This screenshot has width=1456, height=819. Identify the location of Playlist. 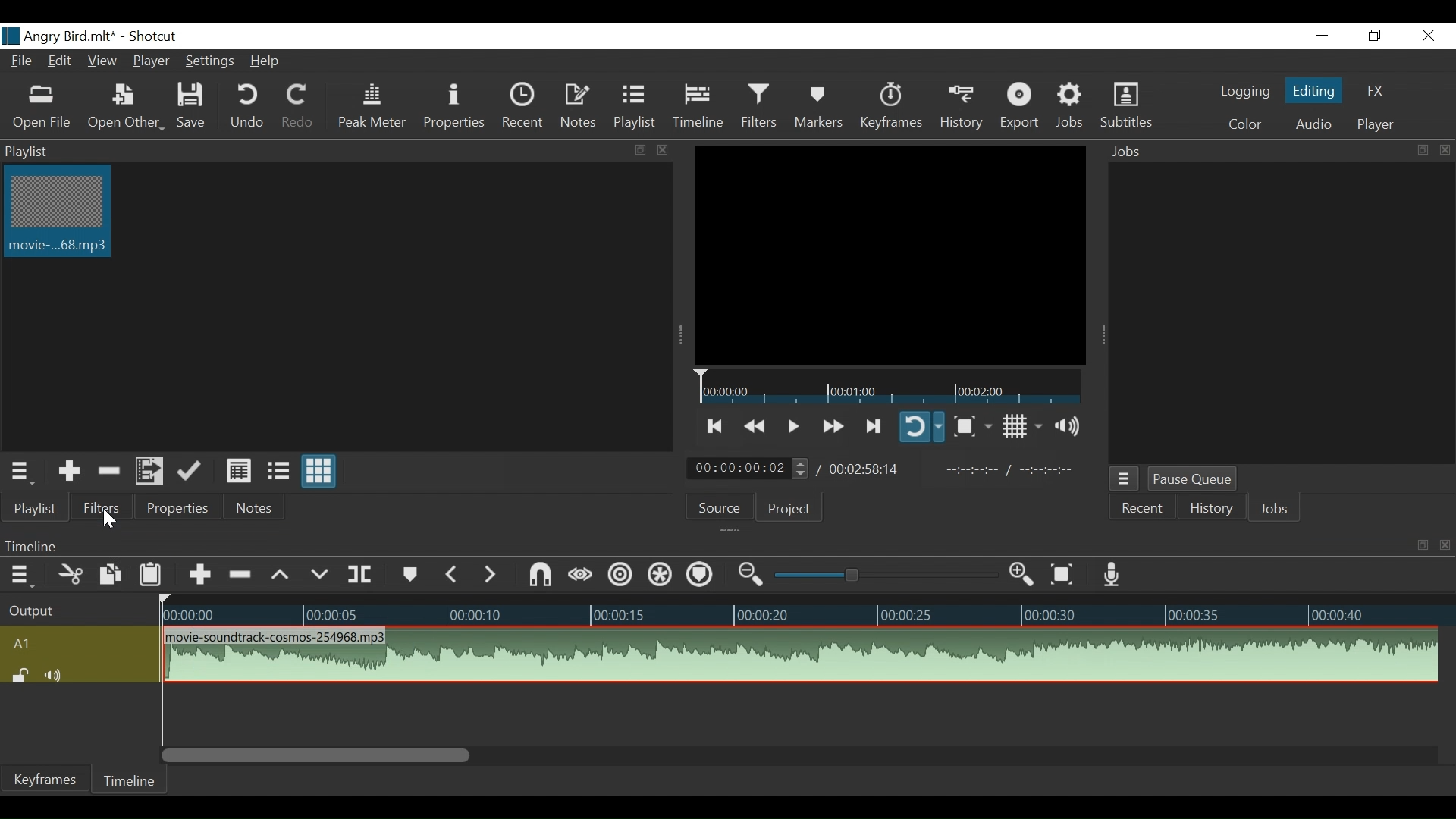
(634, 106).